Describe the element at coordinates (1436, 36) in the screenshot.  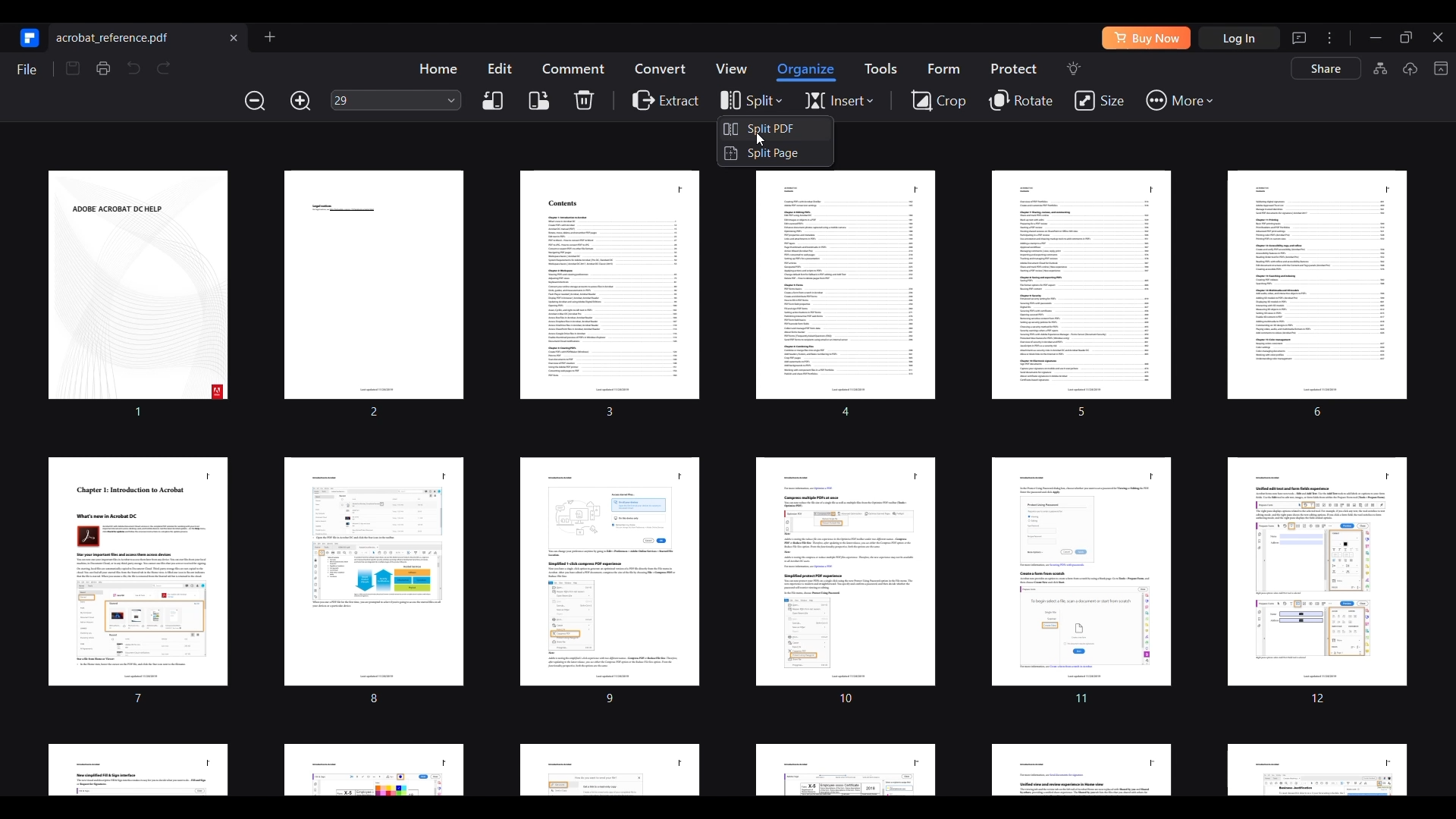
I see `Close` at that location.